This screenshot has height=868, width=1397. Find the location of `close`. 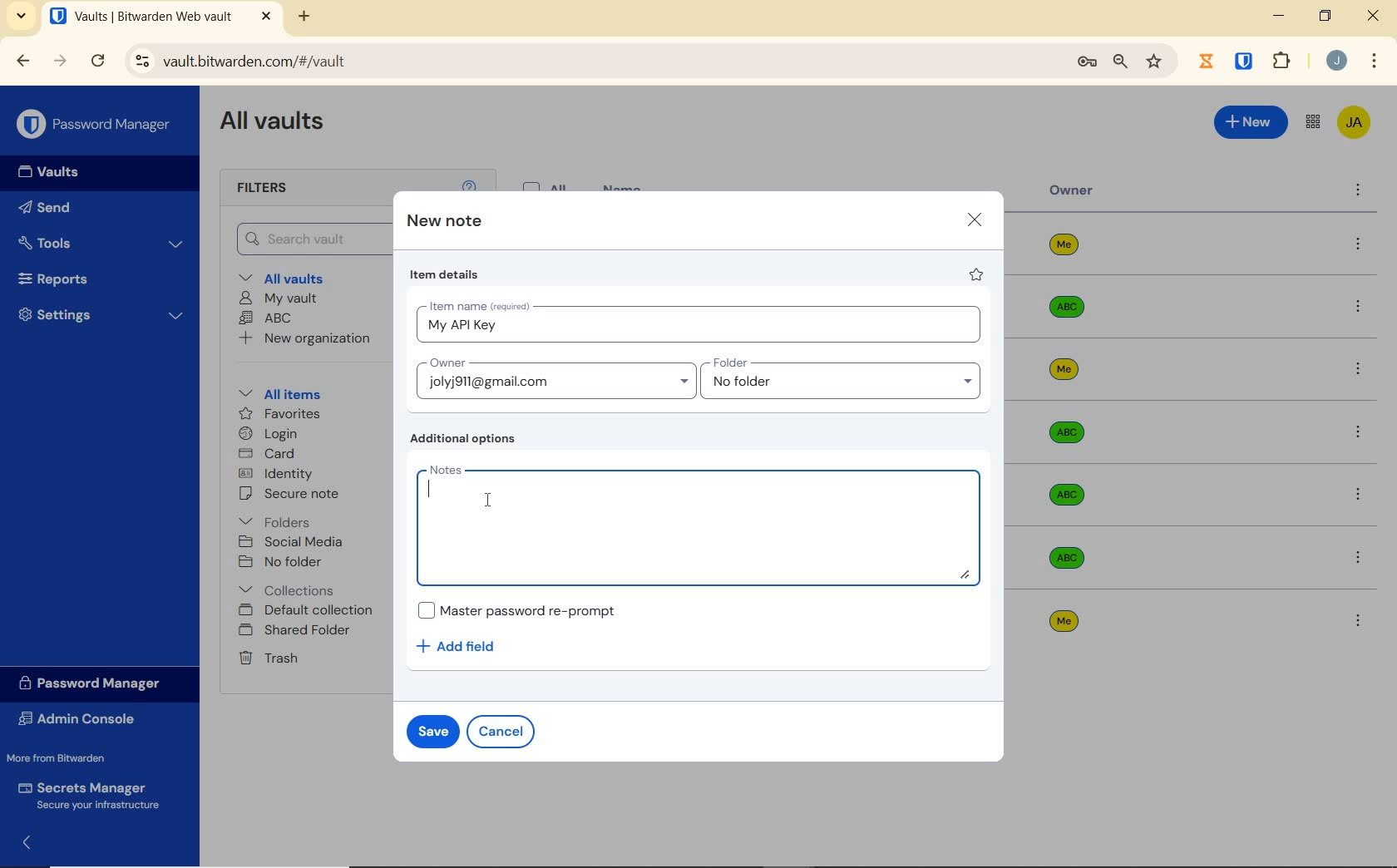

close is located at coordinates (975, 219).